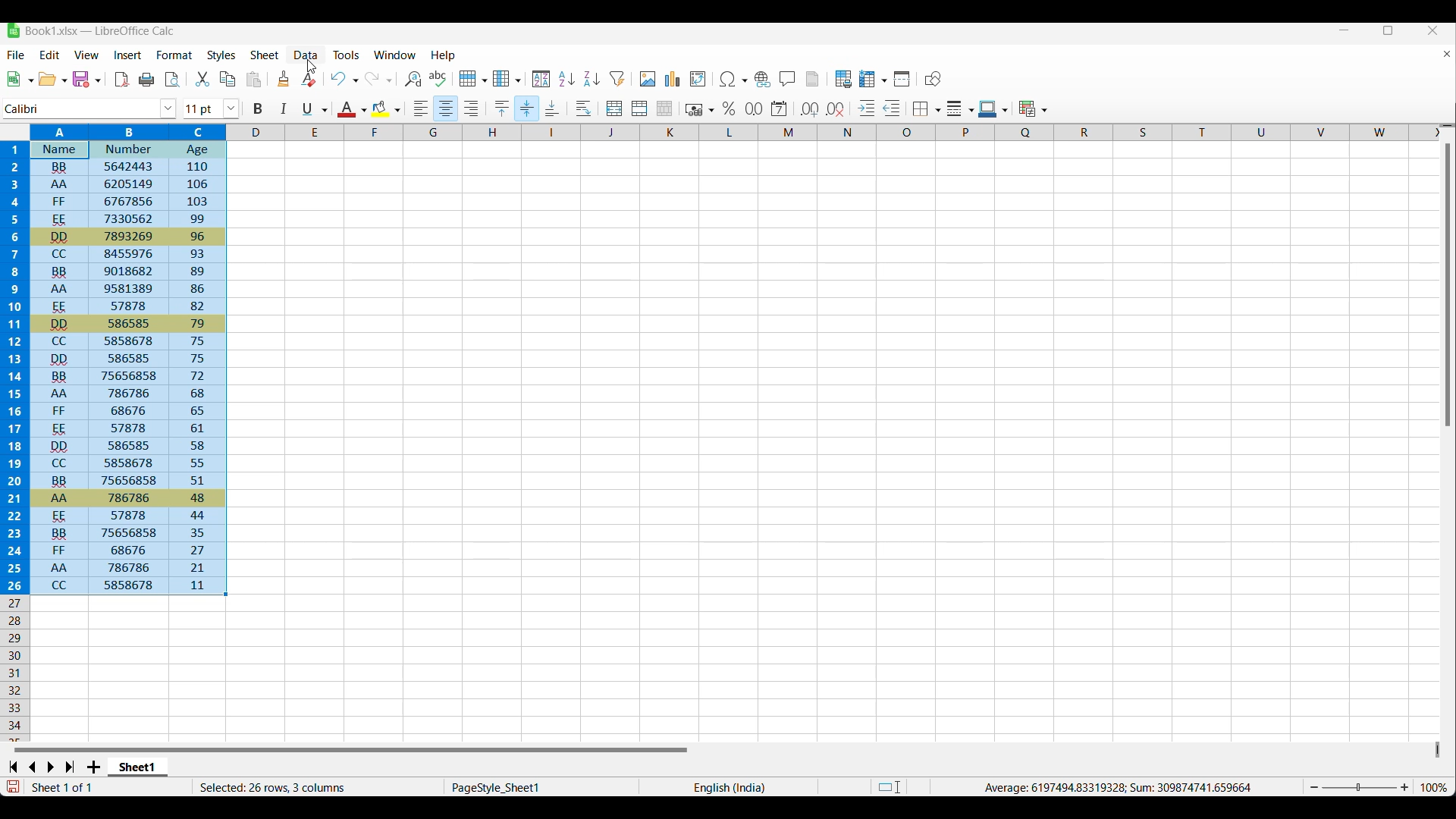  What do you see at coordinates (1033, 108) in the screenshot?
I see `Conditional formating options` at bounding box center [1033, 108].